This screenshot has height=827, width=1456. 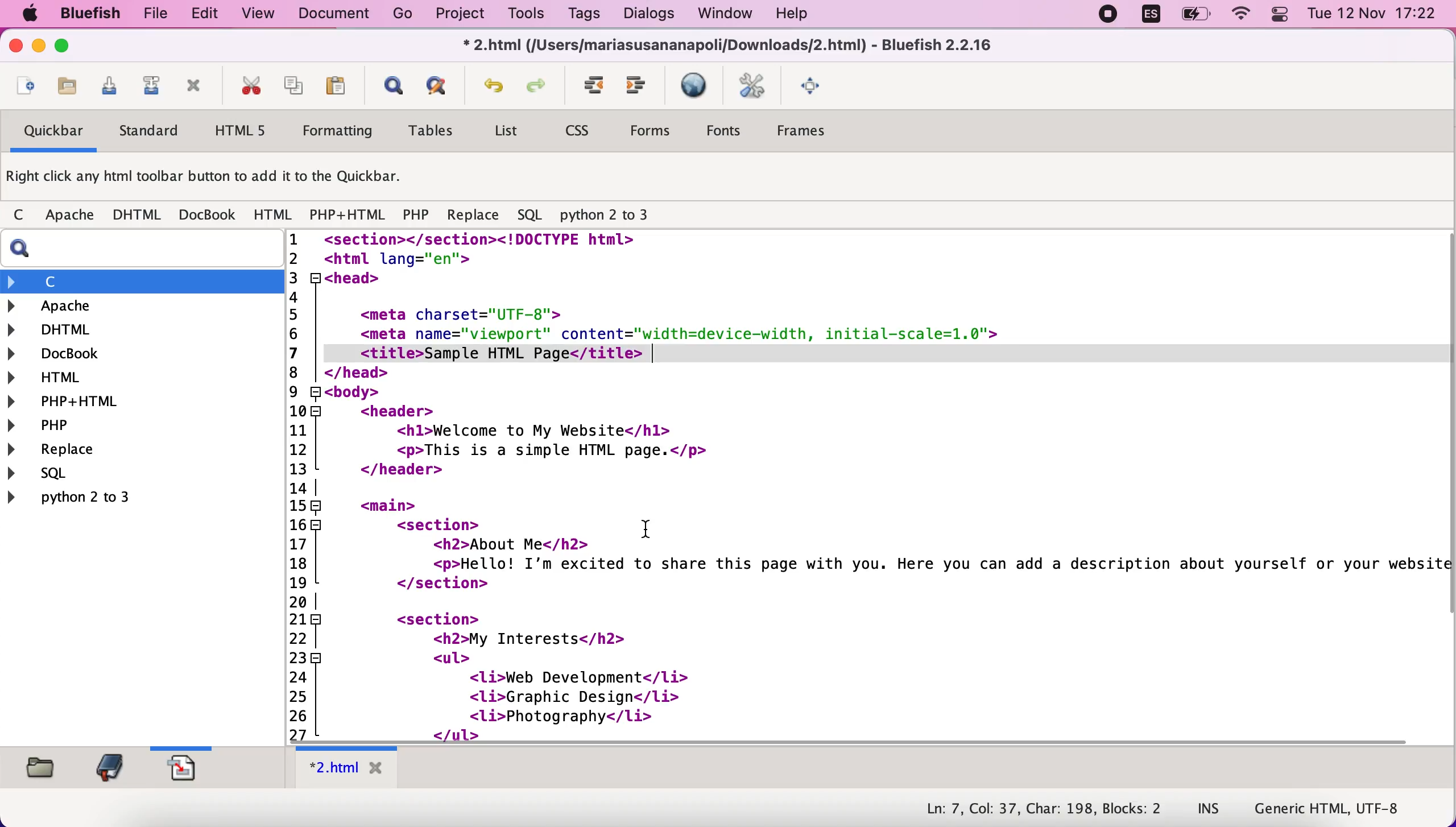 What do you see at coordinates (349, 214) in the screenshot?
I see `php+html` at bounding box center [349, 214].